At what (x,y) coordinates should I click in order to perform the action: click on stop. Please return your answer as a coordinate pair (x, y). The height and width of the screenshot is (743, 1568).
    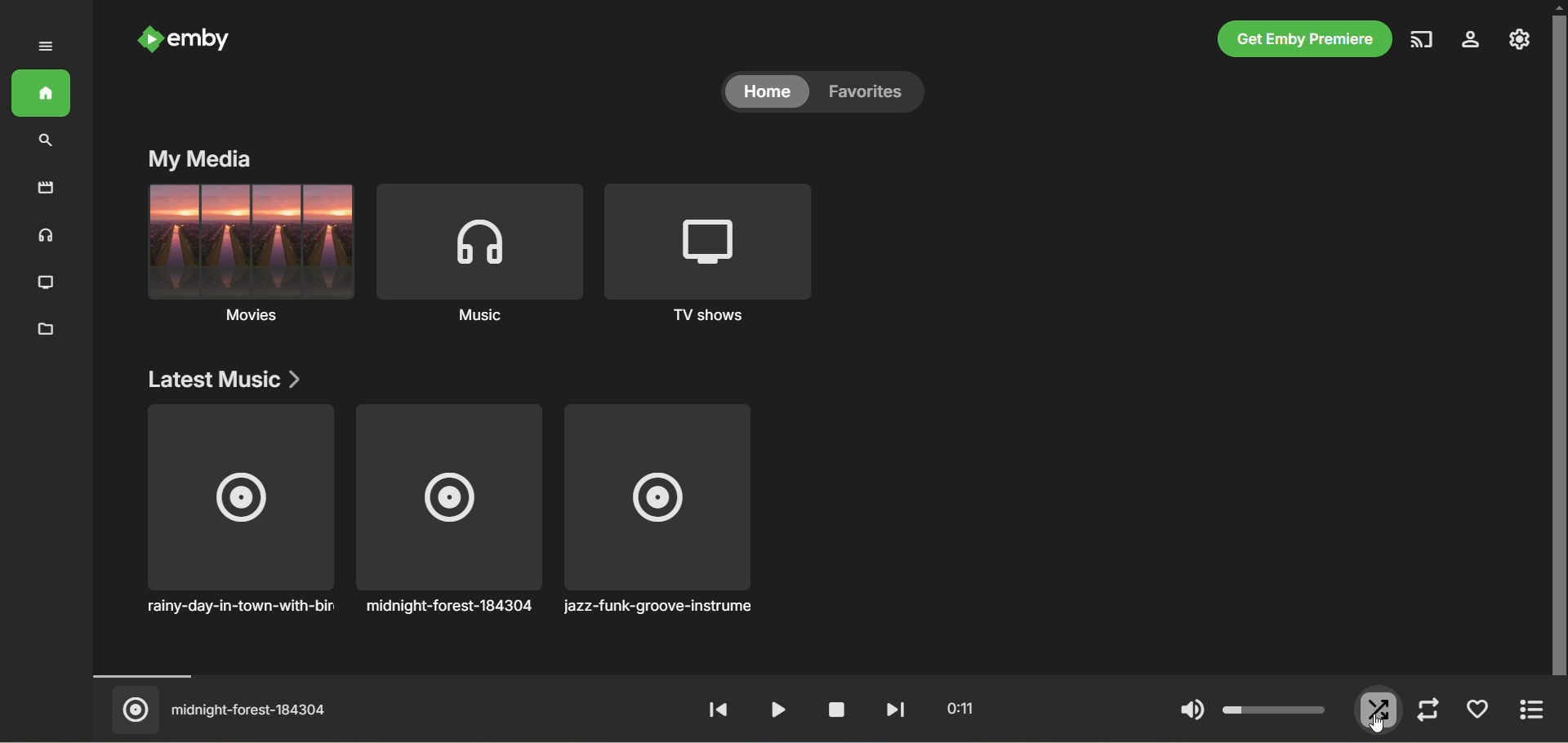
    Looking at the image, I should click on (829, 710).